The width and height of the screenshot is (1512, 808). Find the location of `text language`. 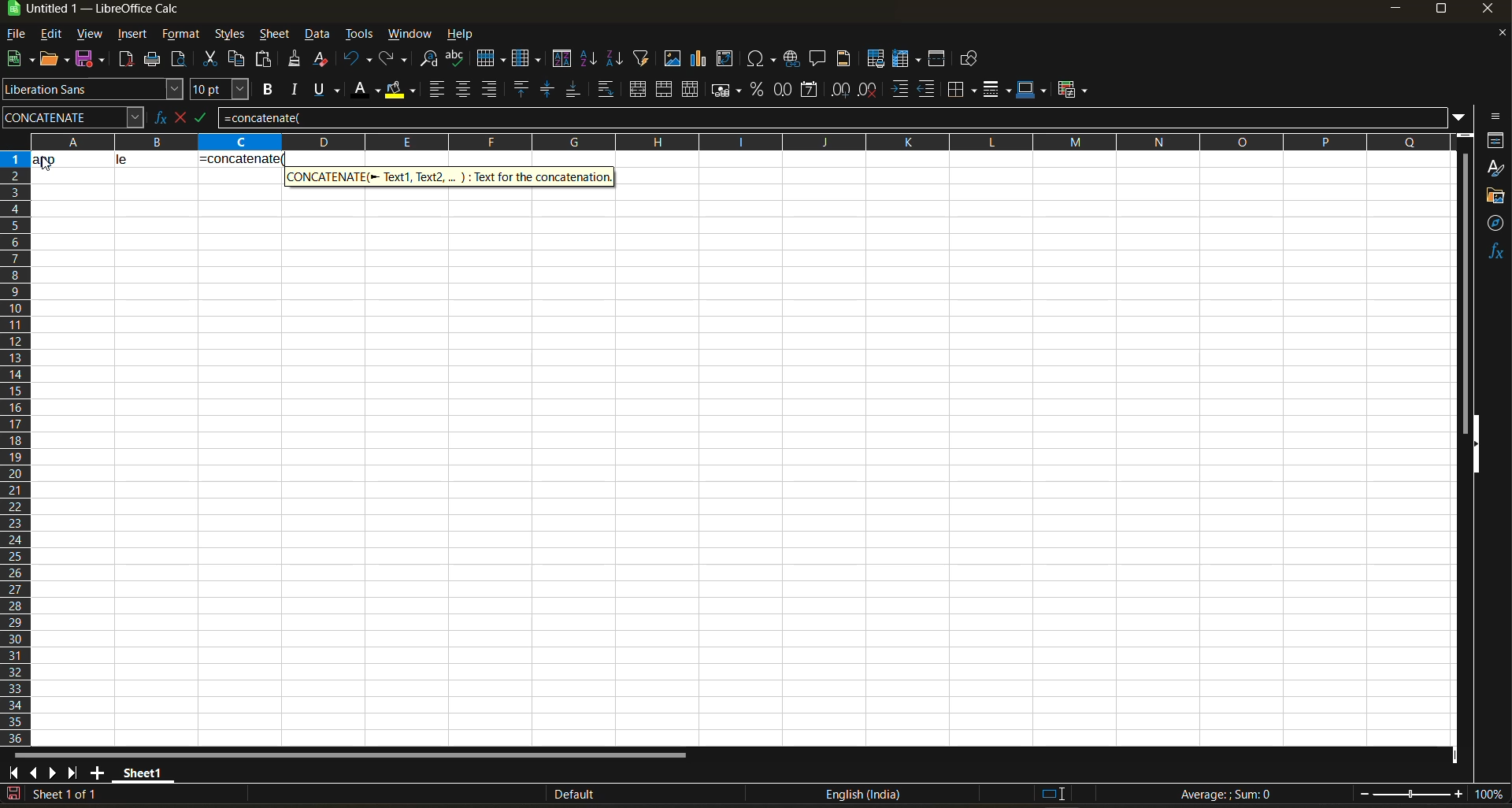

text language is located at coordinates (862, 794).